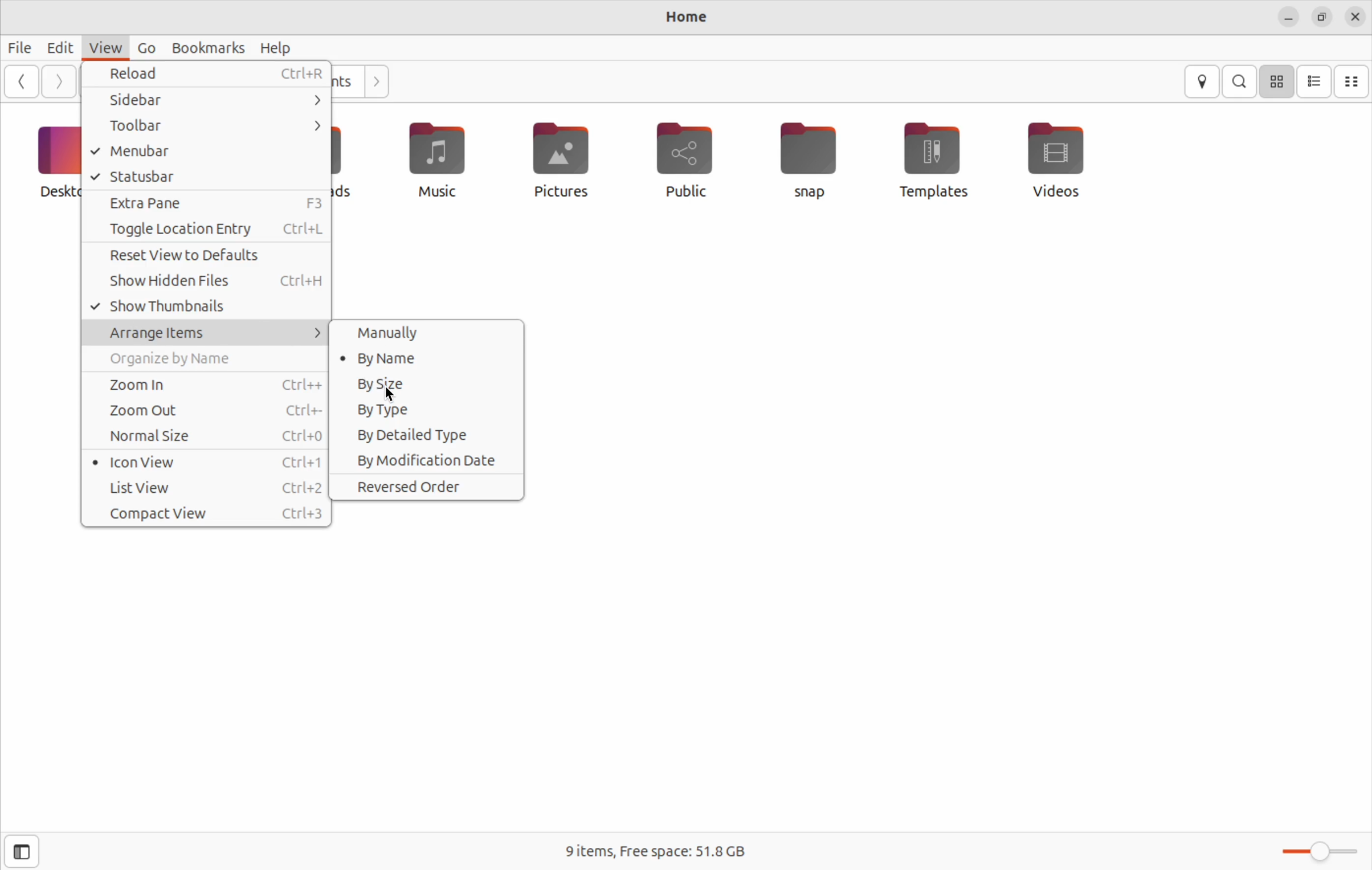  Describe the element at coordinates (421, 359) in the screenshot. I see `By name` at that location.